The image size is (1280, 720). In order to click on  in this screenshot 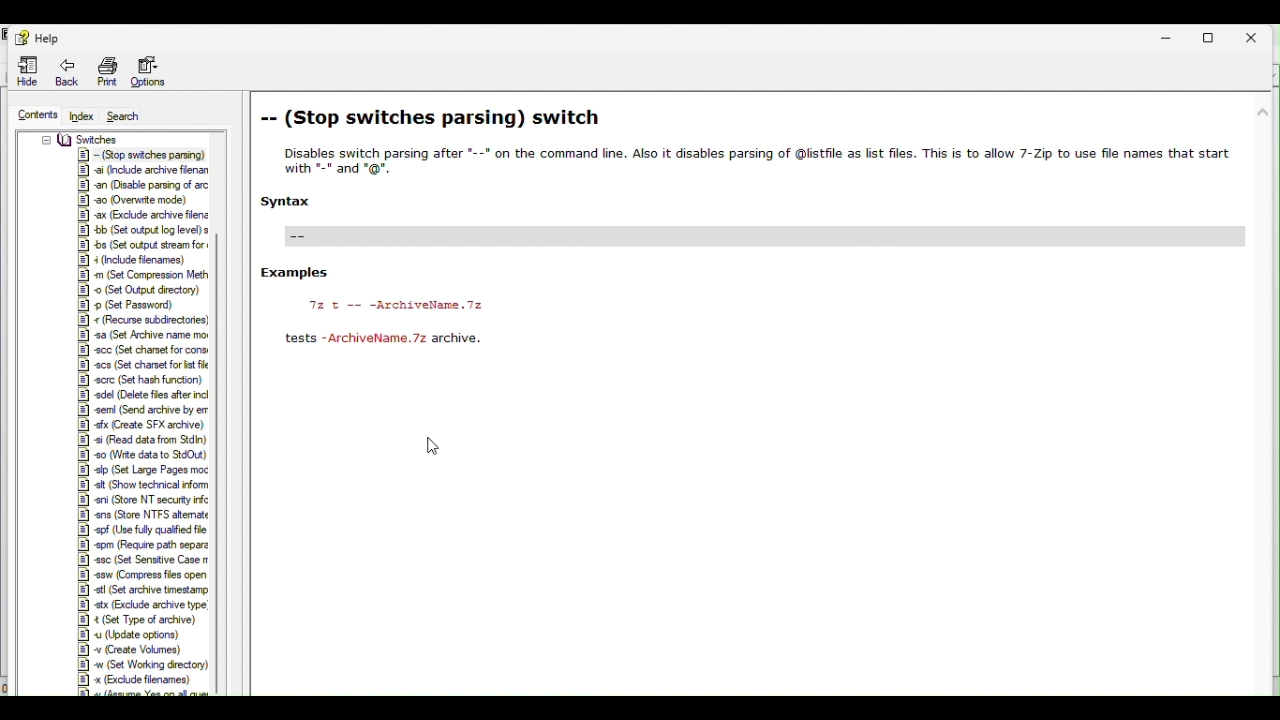, I will do `click(141, 454)`.